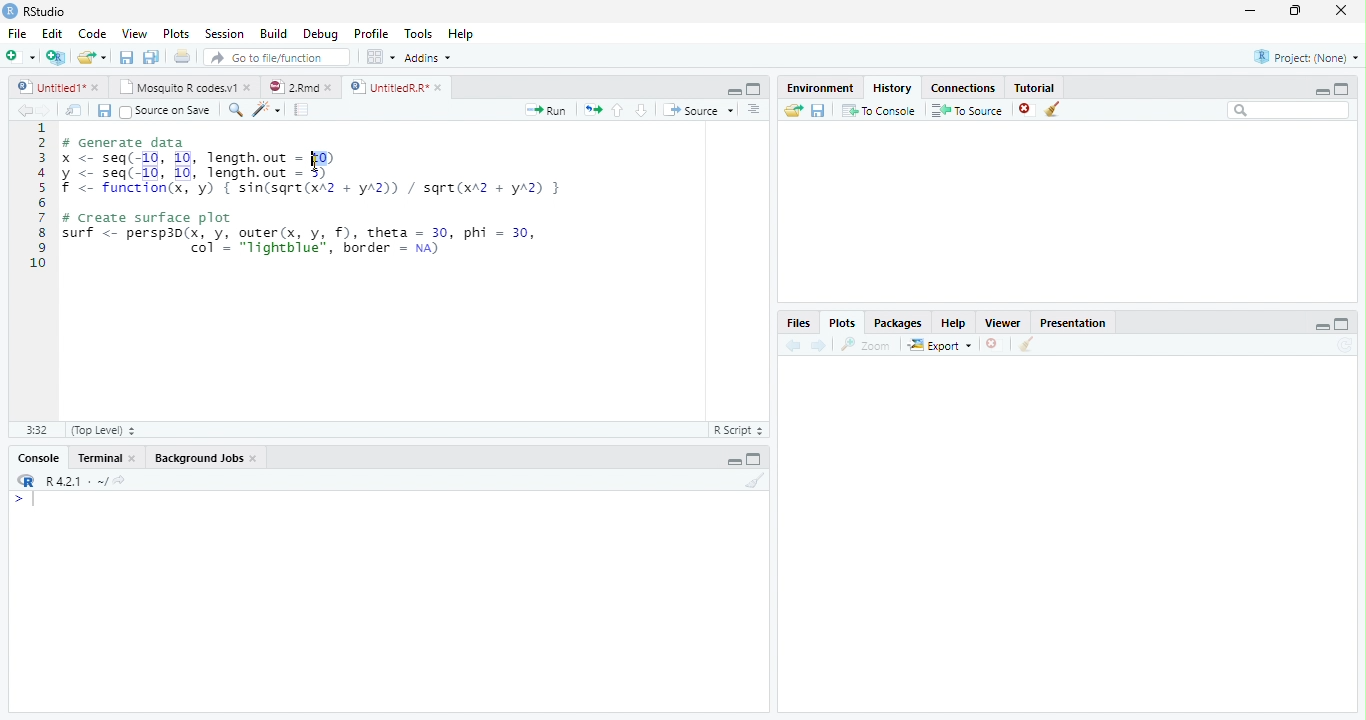 Image resolution: width=1366 pixels, height=720 pixels. I want to click on Maximixe, so click(754, 88).